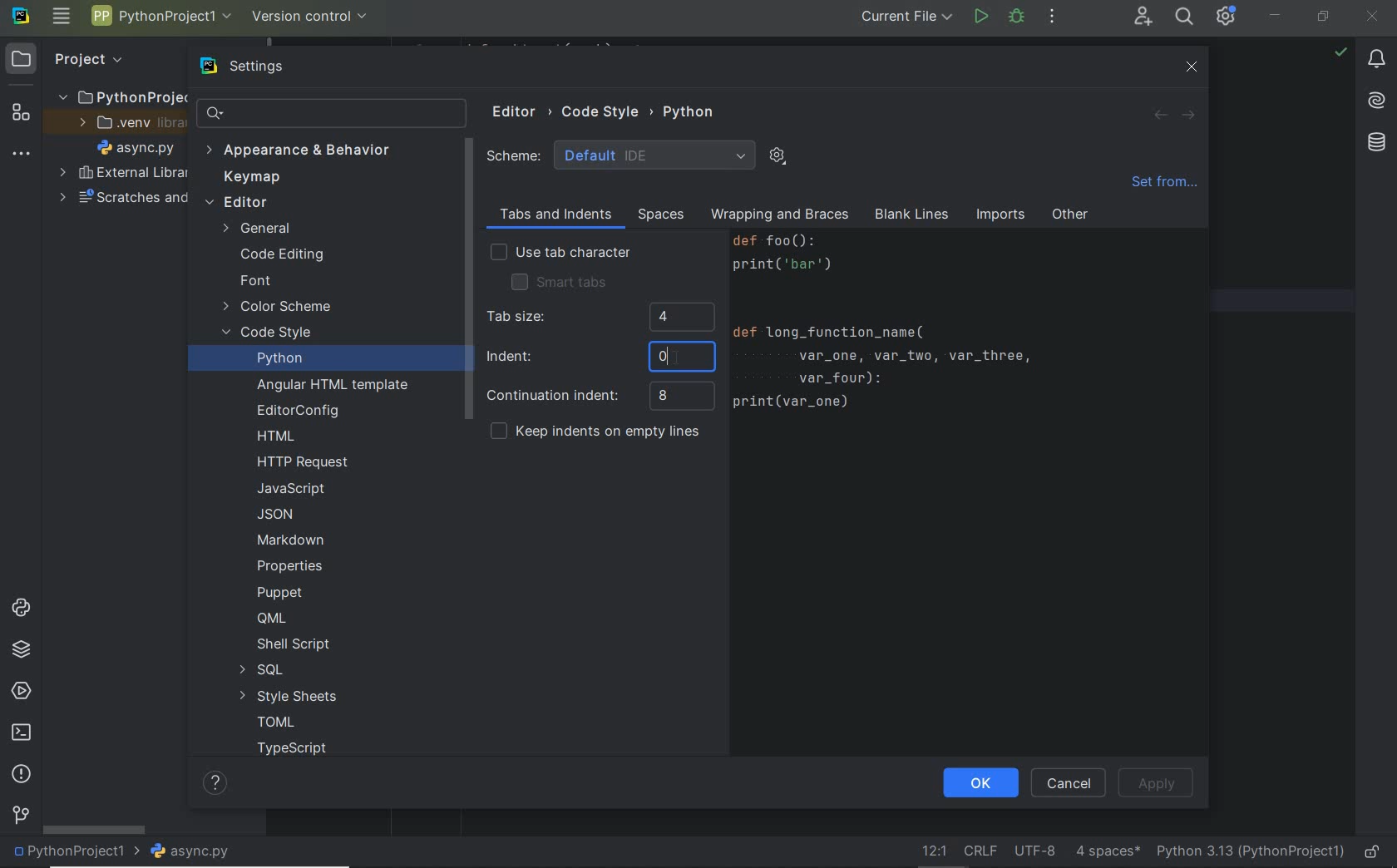 The height and width of the screenshot is (868, 1397). What do you see at coordinates (248, 178) in the screenshot?
I see `Keymap` at bounding box center [248, 178].